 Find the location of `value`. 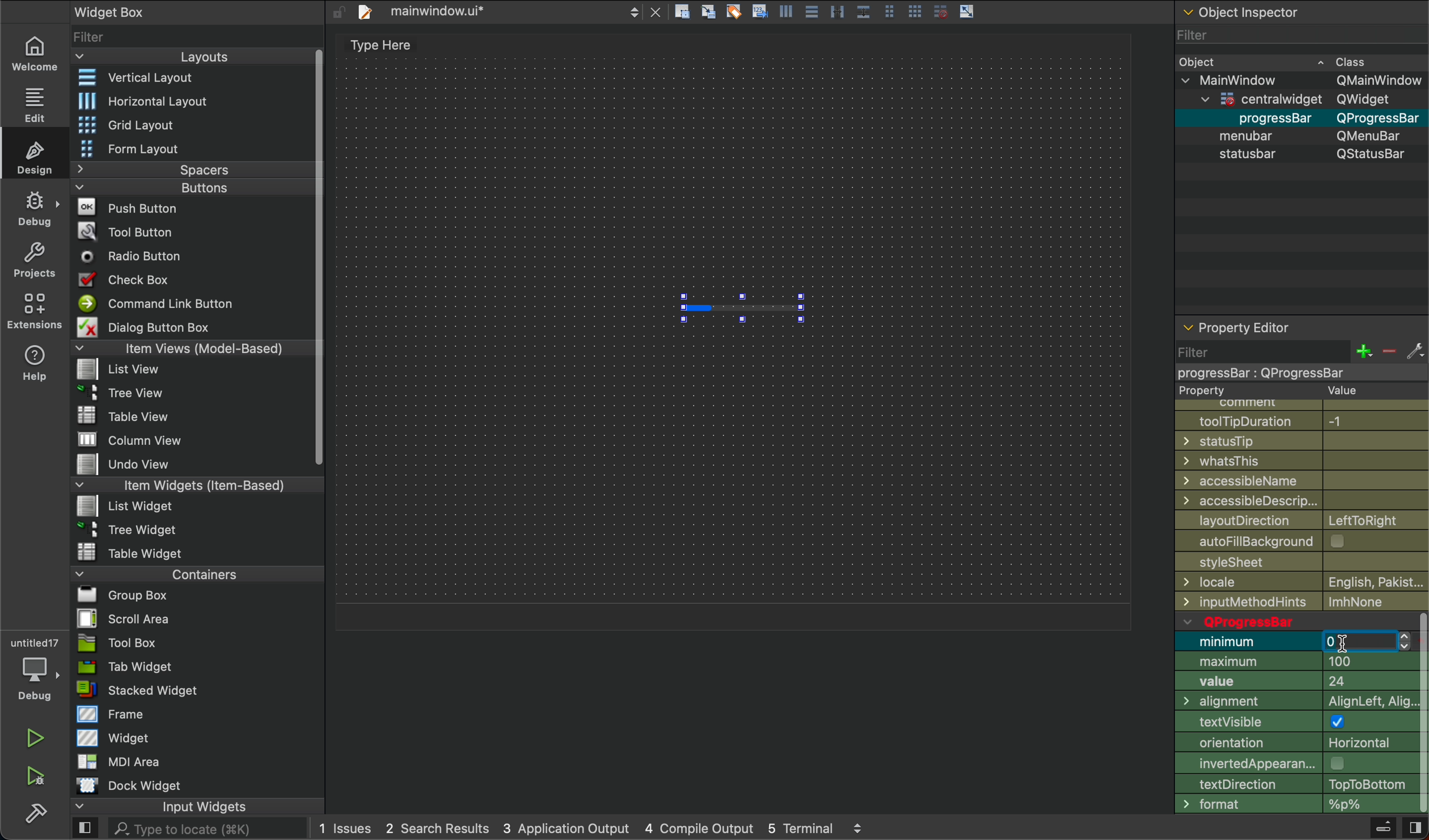

value is located at coordinates (1294, 684).